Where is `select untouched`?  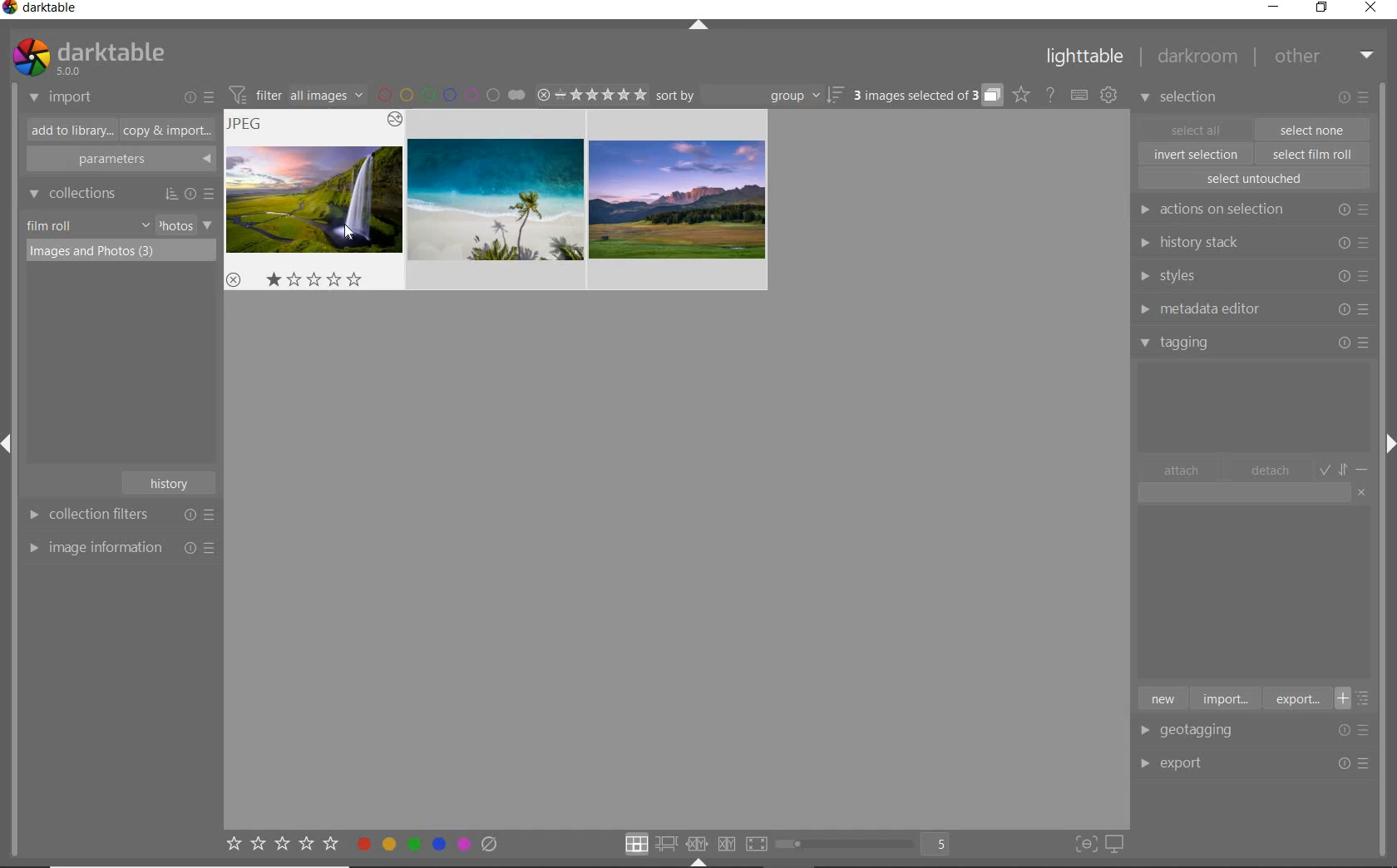
select untouched is located at coordinates (1253, 179).